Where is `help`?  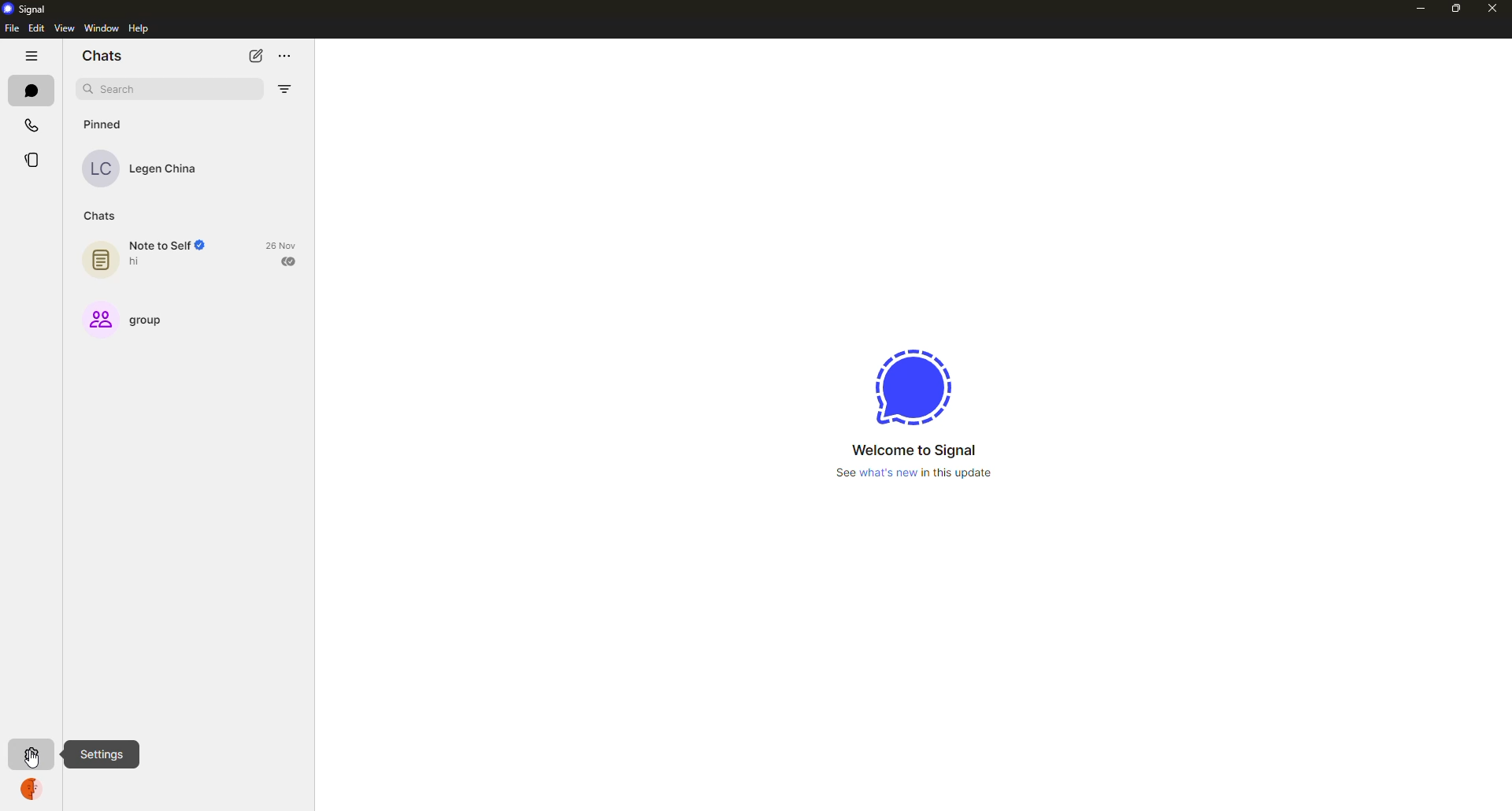
help is located at coordinates (139, 28).